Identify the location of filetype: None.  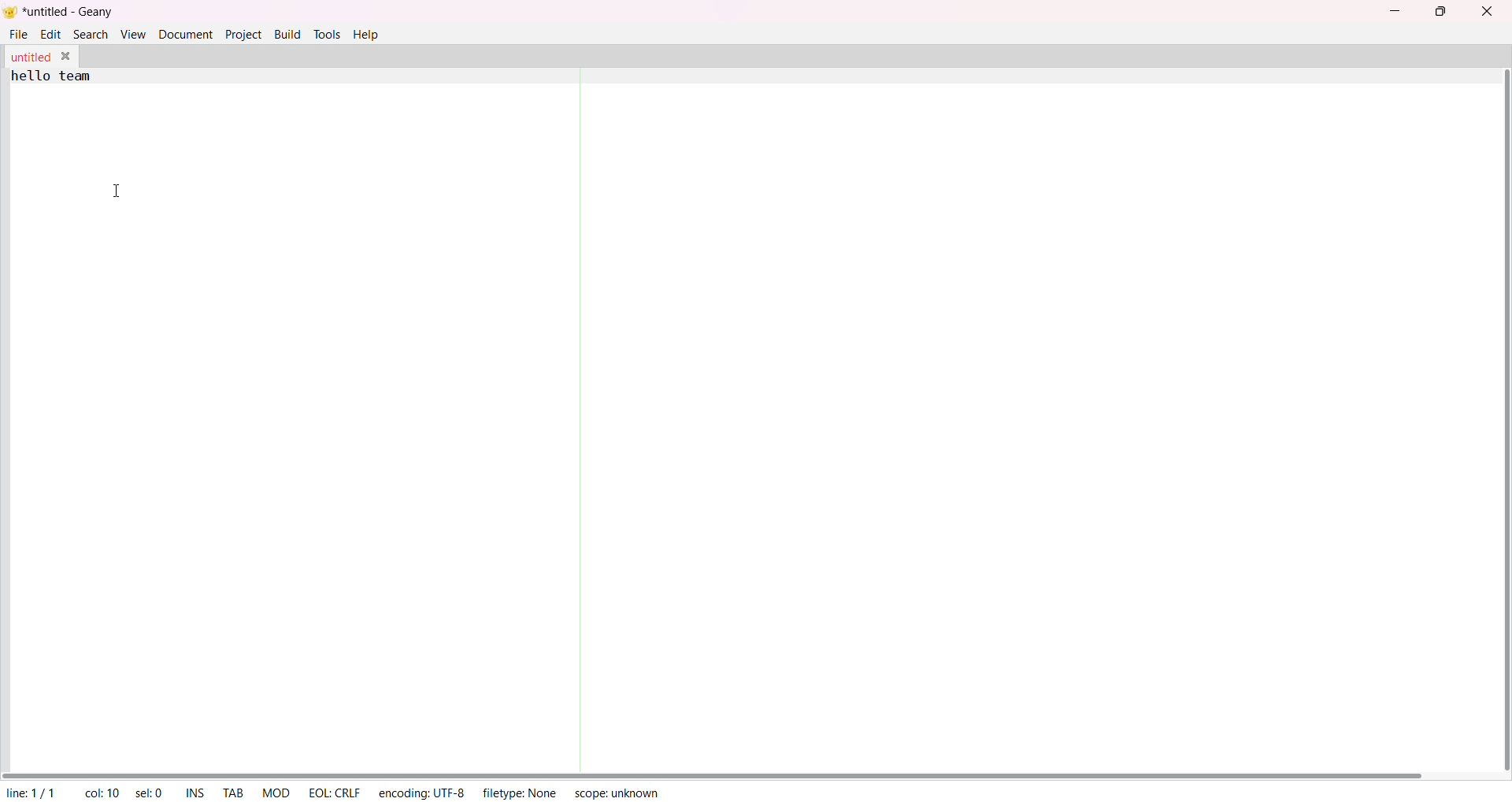
(517, 791).